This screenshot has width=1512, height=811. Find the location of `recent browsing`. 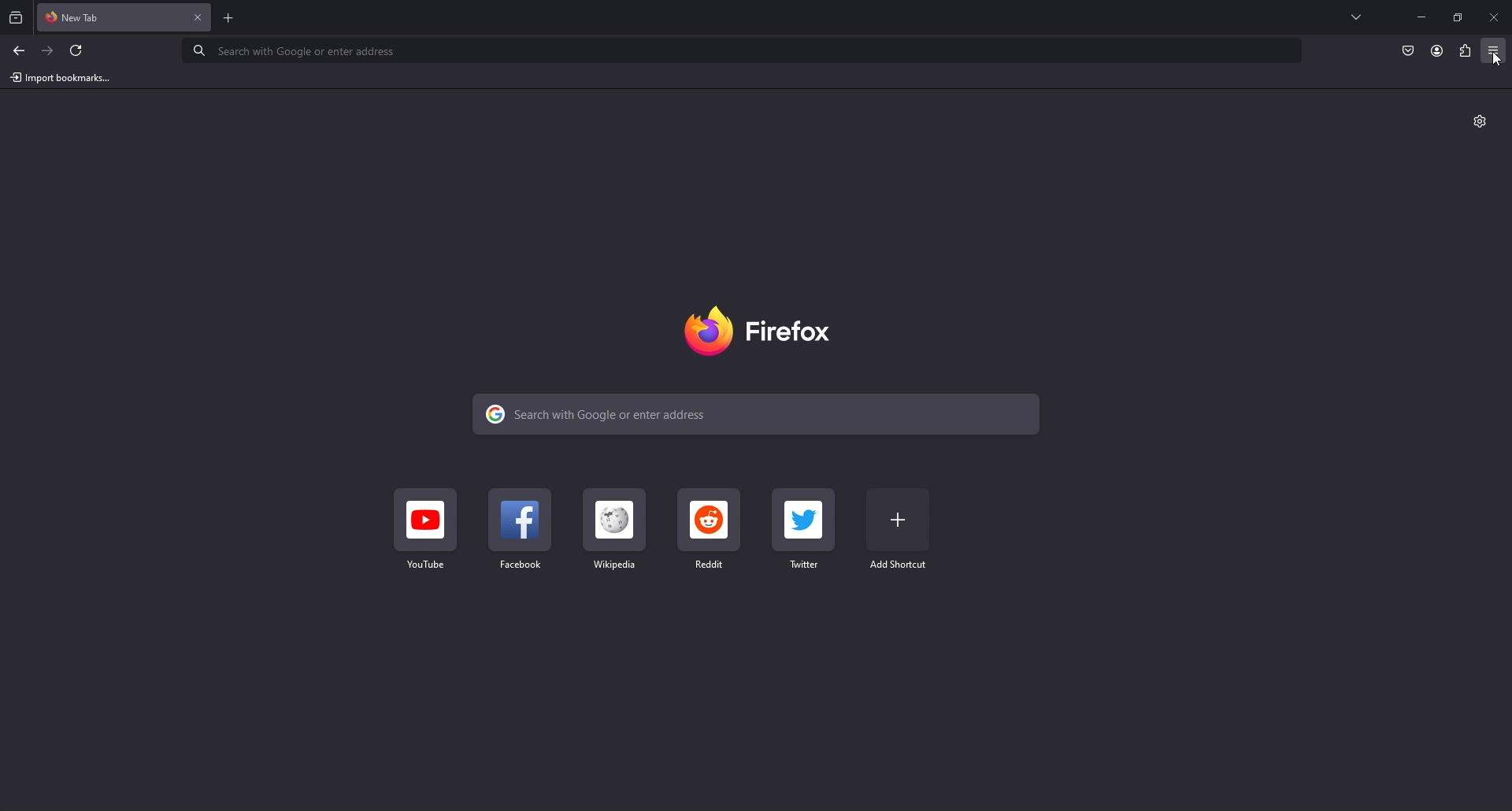

recent browsing is located at coordinates (17, 17).